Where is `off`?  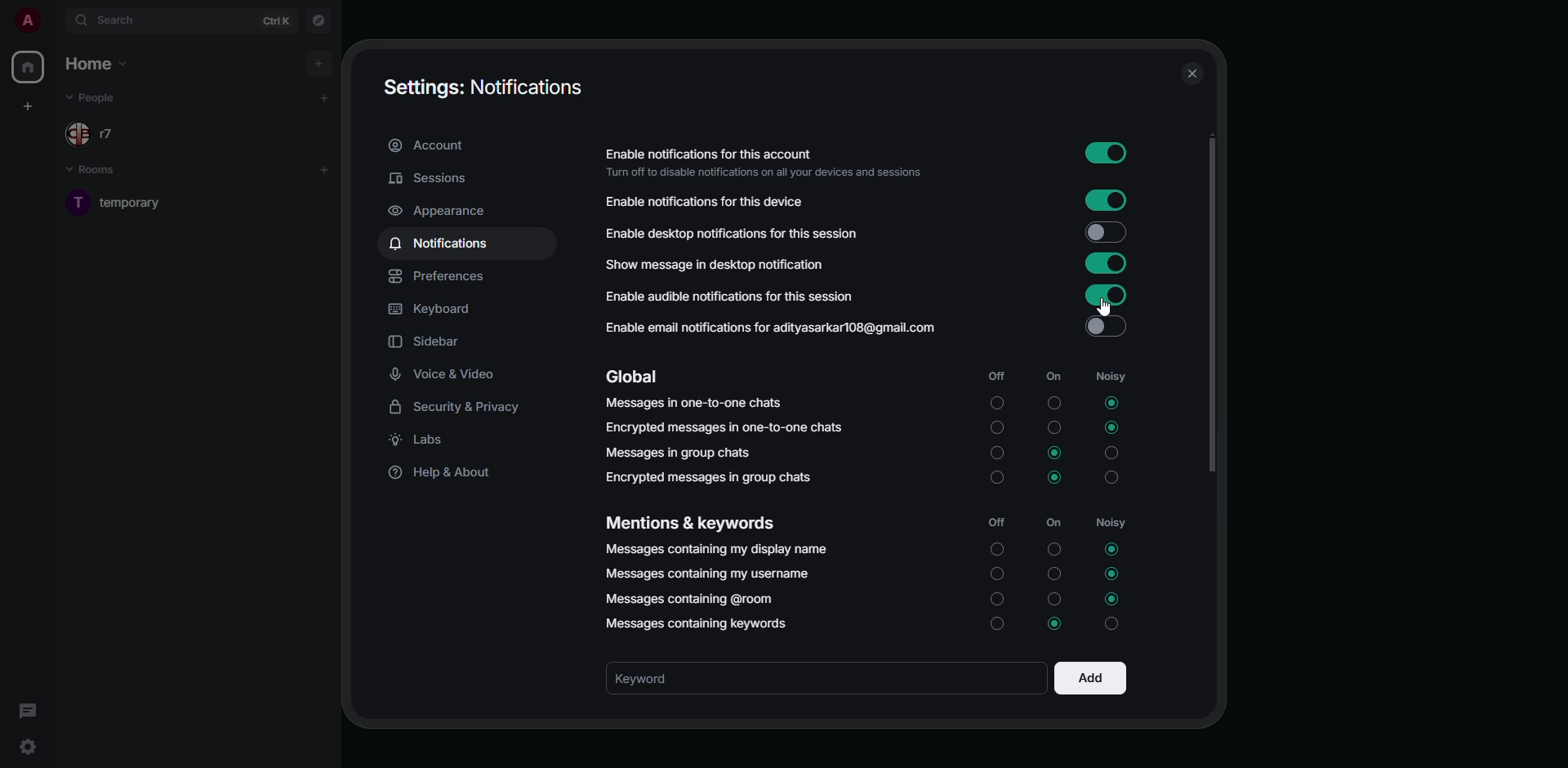
off is located at coordinates (996, 404).